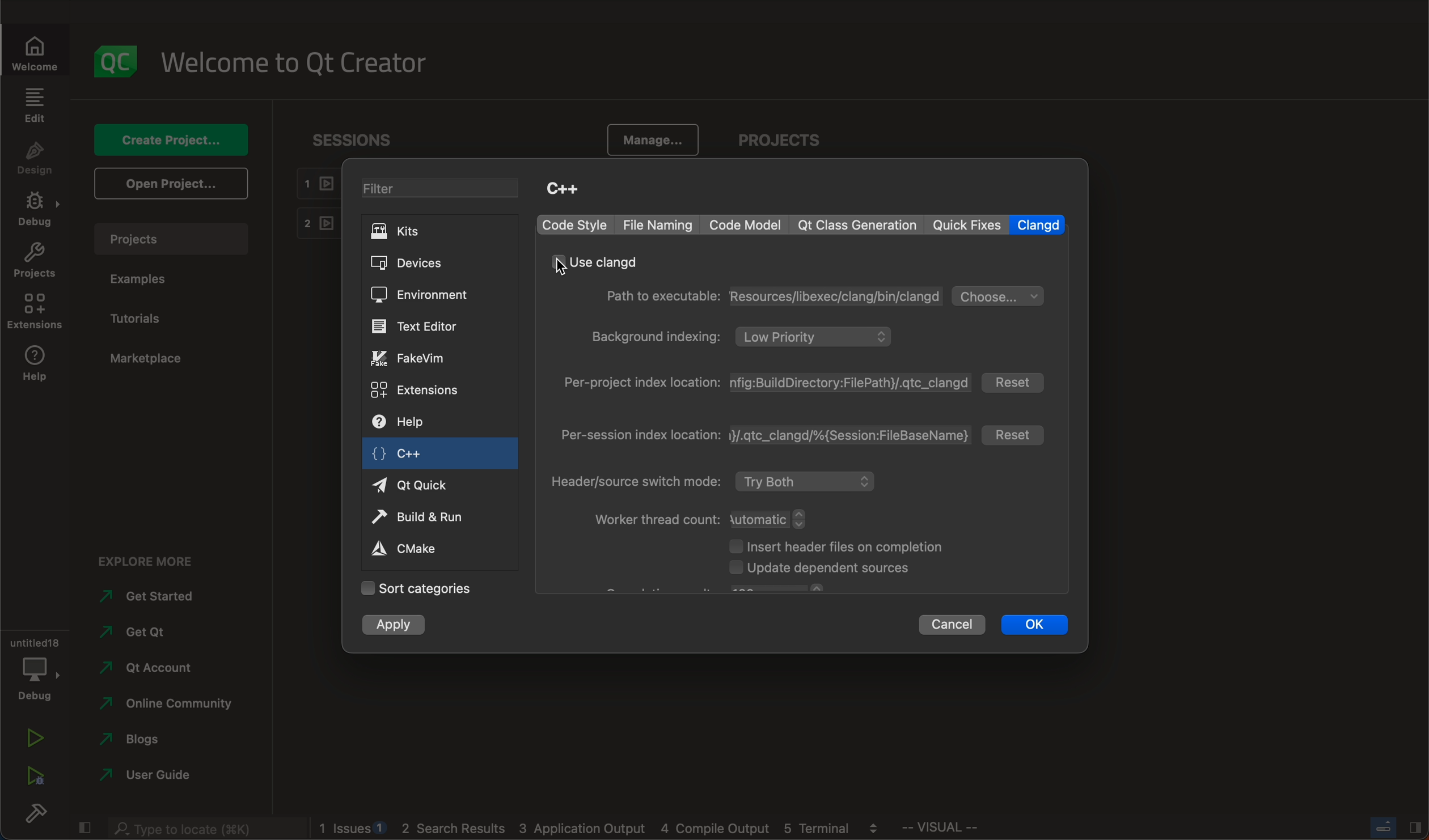  Describe the element at coordinates (35, 737) in the screenshot. I see `run` at that location.